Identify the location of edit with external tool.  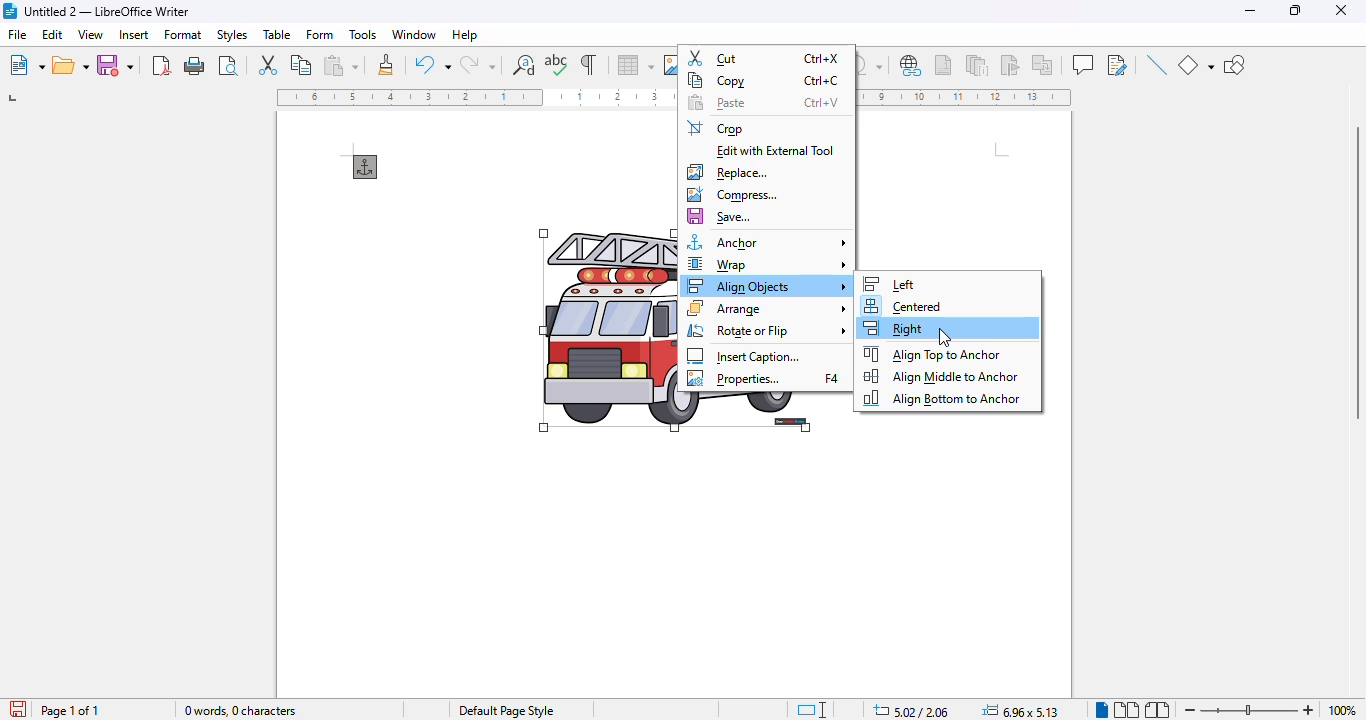
(777, 152).